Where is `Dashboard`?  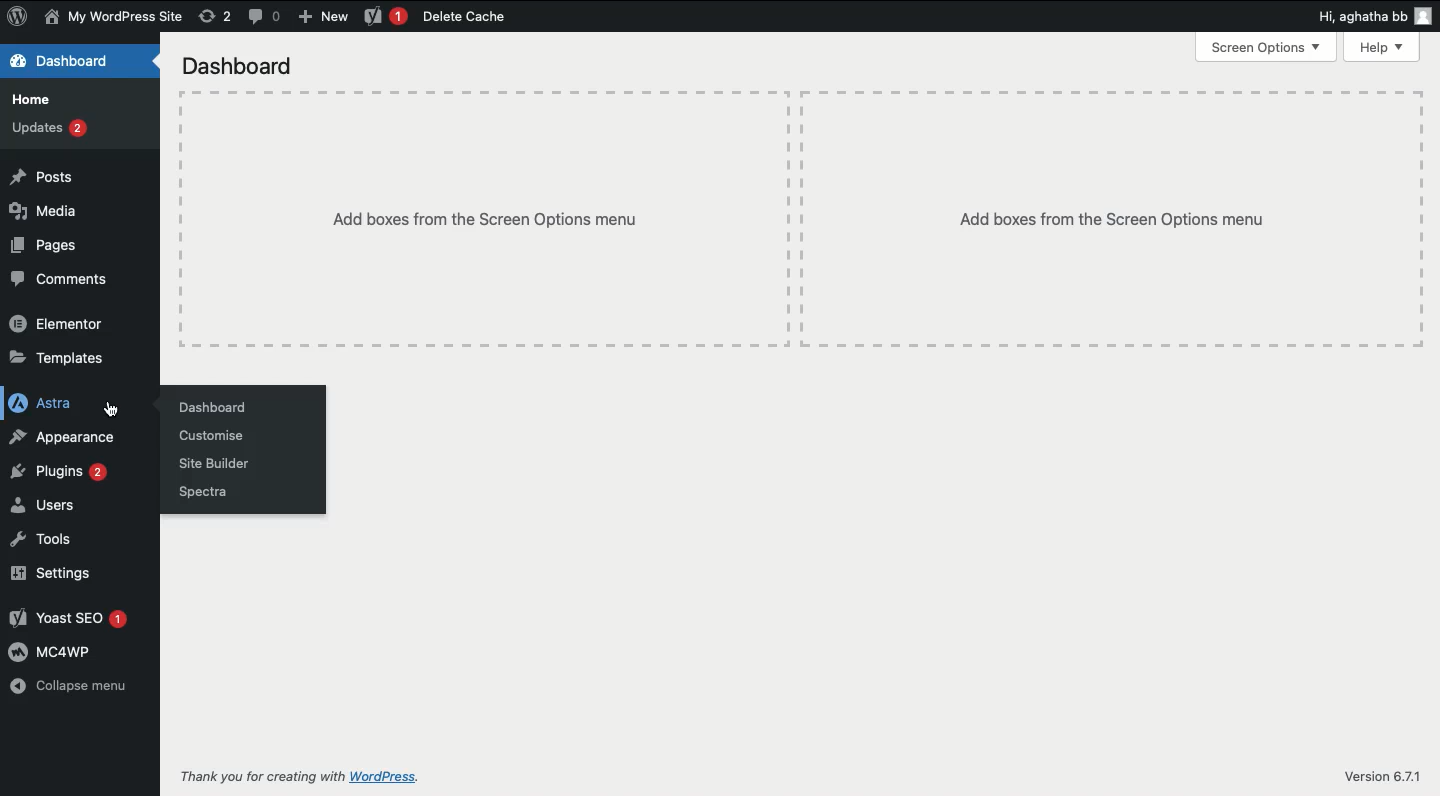 Dashboard is located at coordinates (211, 406).